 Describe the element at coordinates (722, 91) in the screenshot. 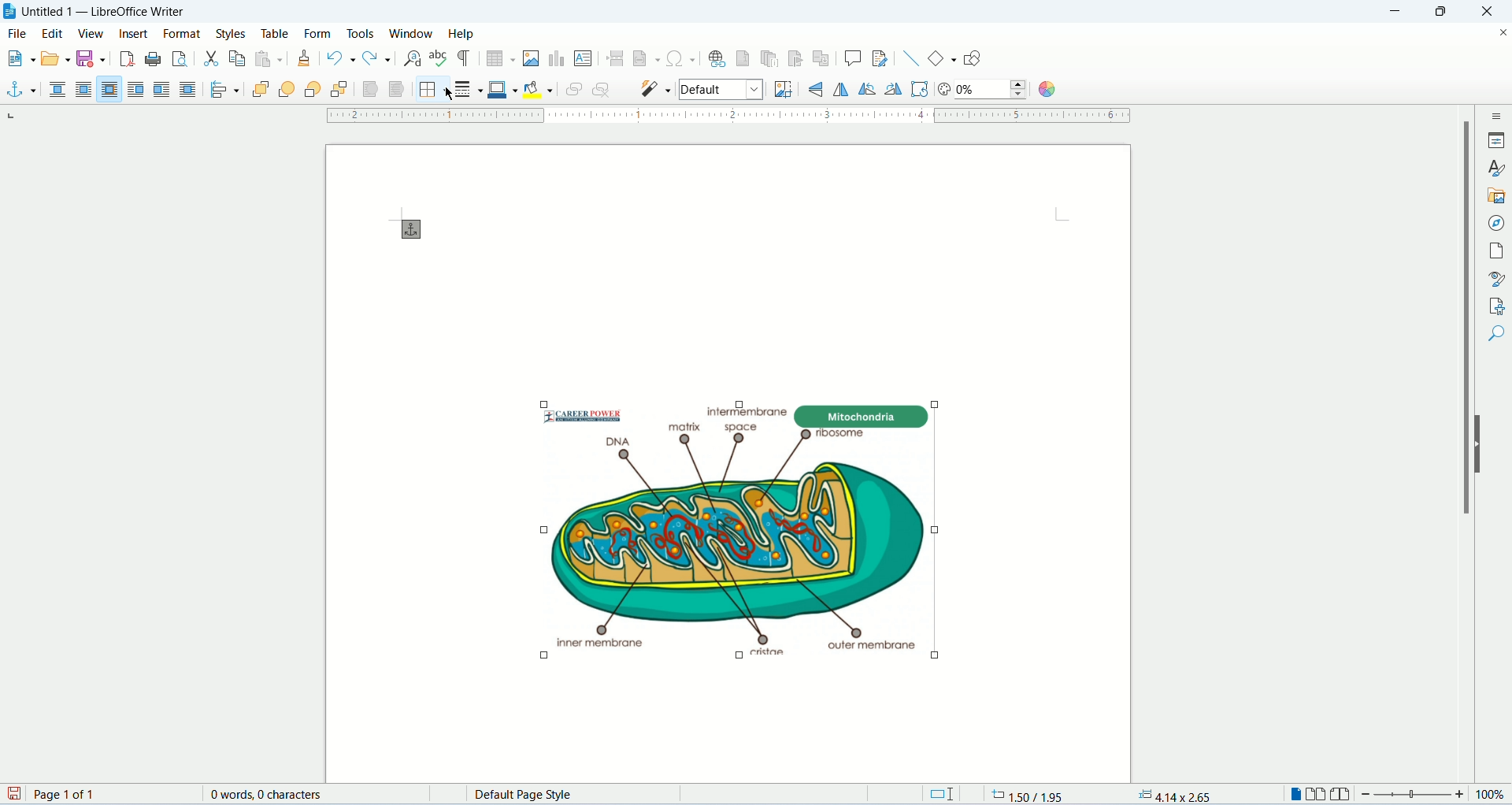

I see `image mode` at that location.